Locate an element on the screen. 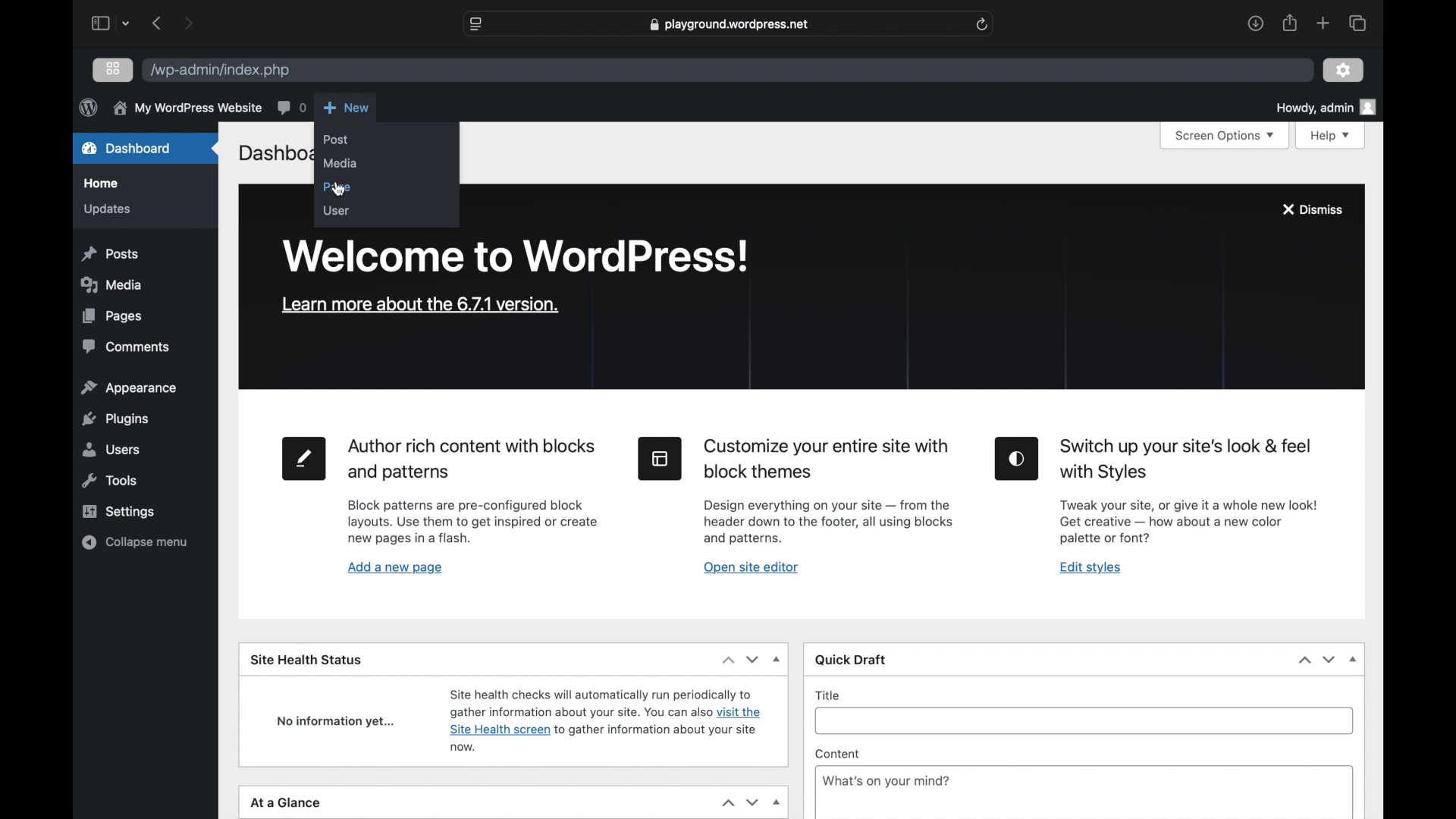 The image size is (1456, 819). no information yet is located at coordinates (335, 722).